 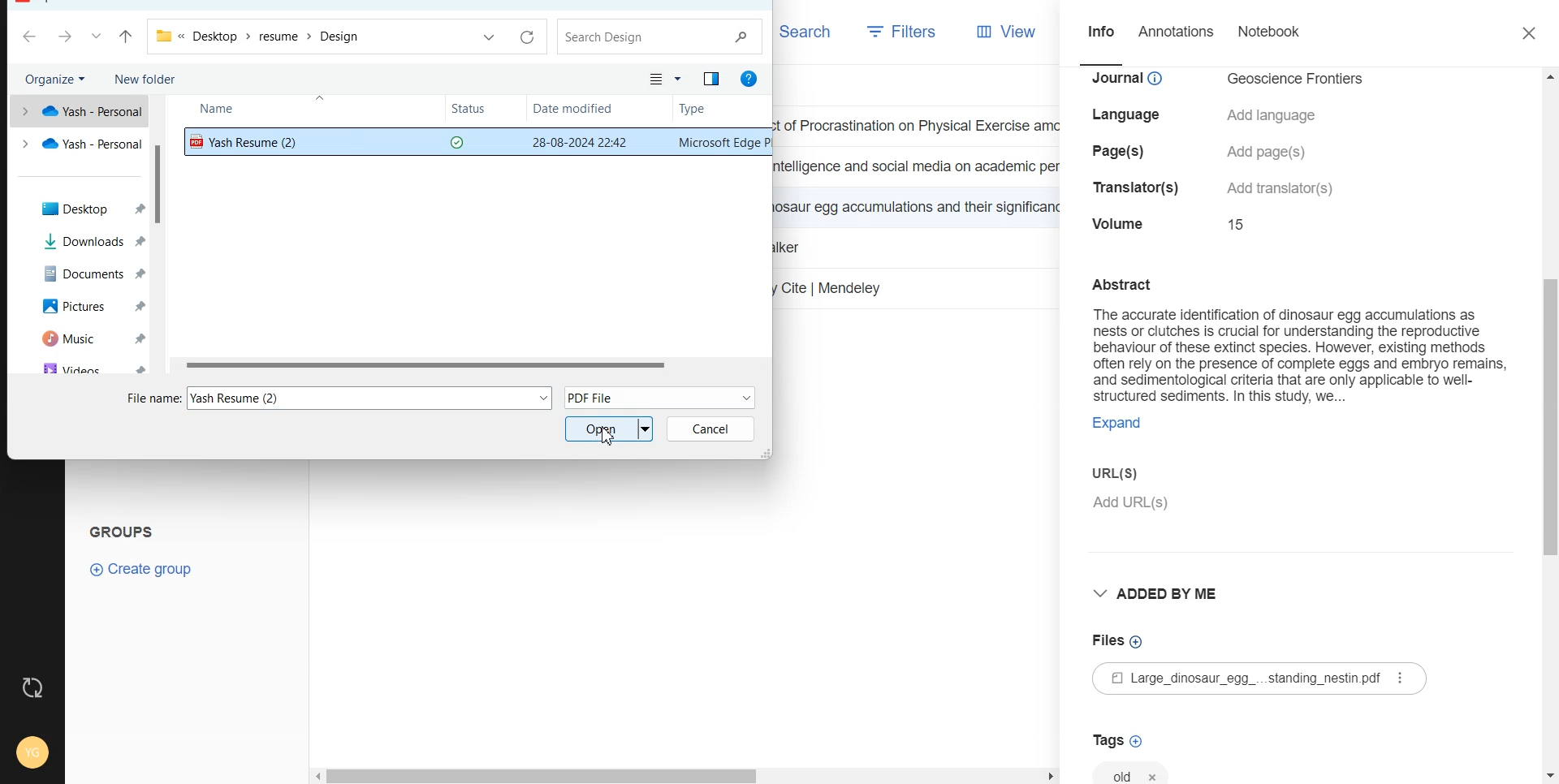 I want to click on details, so click(x=1138, y=189).